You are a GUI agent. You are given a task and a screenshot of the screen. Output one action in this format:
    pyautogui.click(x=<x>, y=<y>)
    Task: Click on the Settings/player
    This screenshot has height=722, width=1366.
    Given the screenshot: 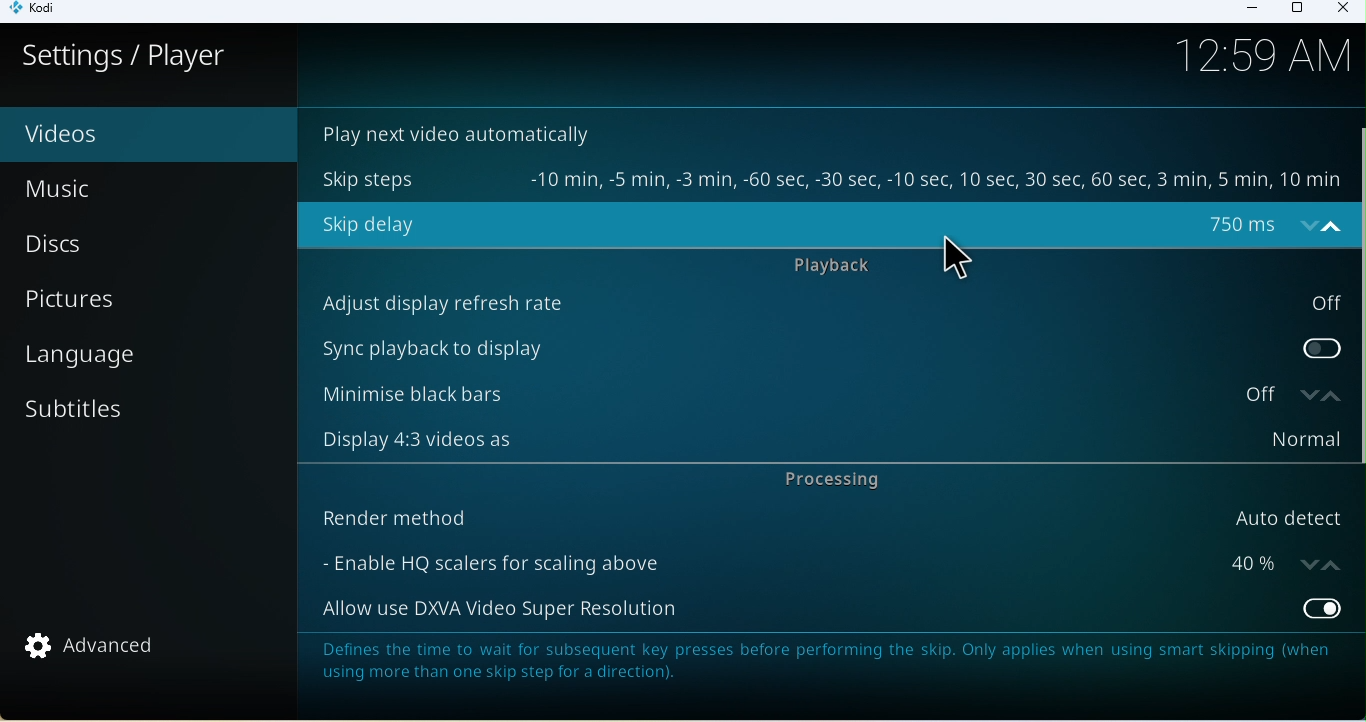 What is the action you would take?
    pyautogui.click(x=125, y=56)
    